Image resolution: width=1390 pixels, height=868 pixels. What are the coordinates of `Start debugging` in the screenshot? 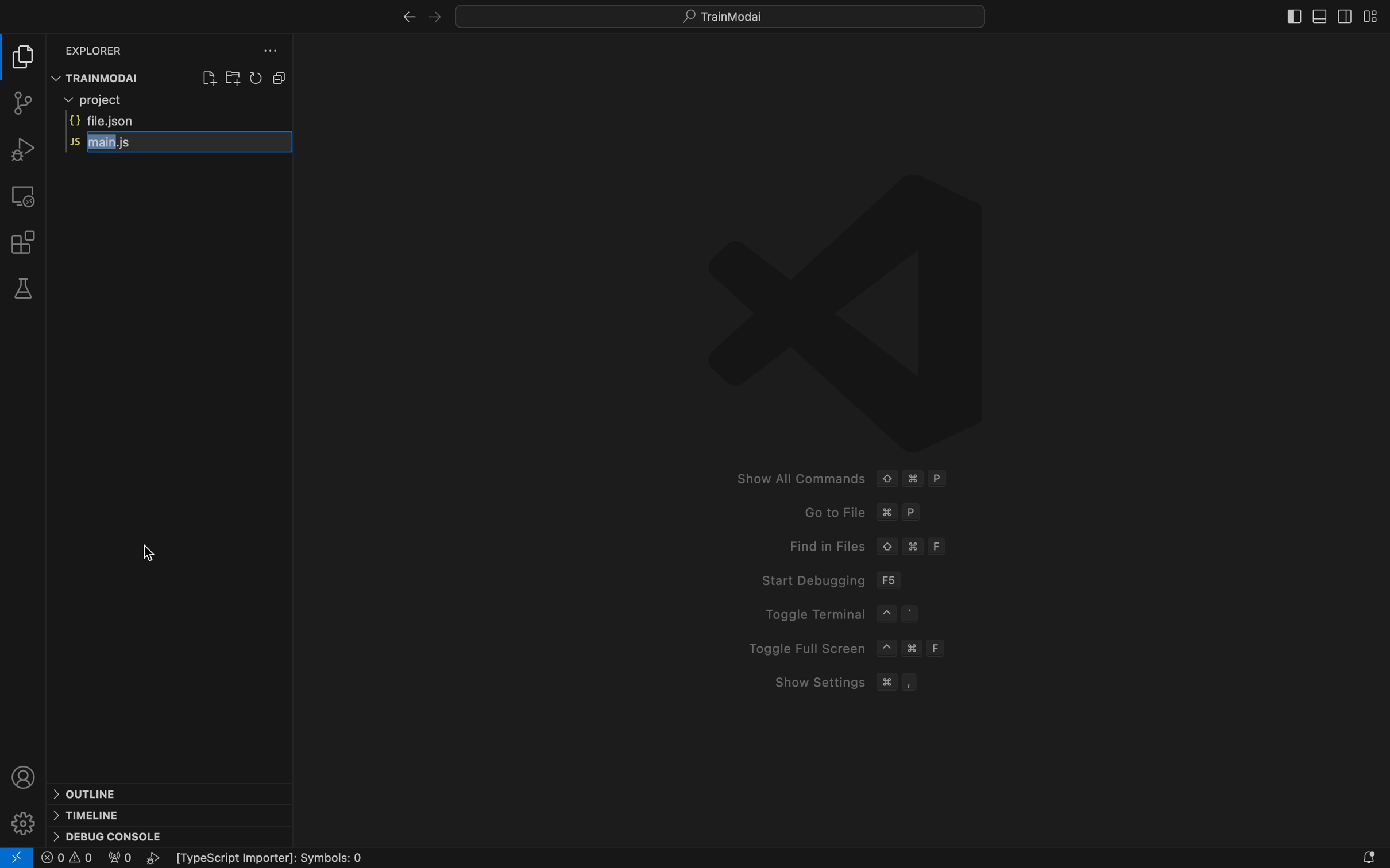 It's located at (829, 581).